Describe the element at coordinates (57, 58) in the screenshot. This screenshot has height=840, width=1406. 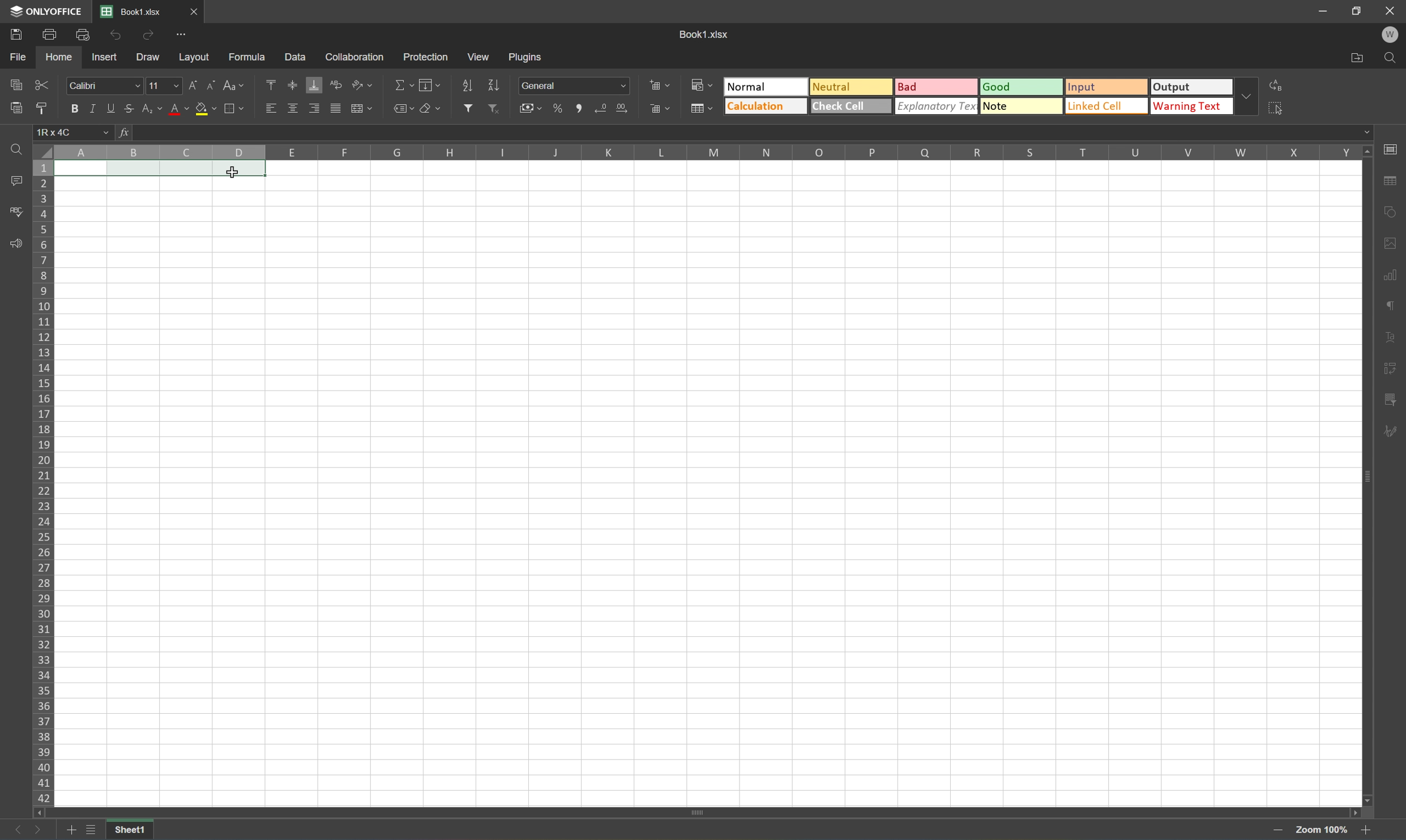
I see `Home` at that location.